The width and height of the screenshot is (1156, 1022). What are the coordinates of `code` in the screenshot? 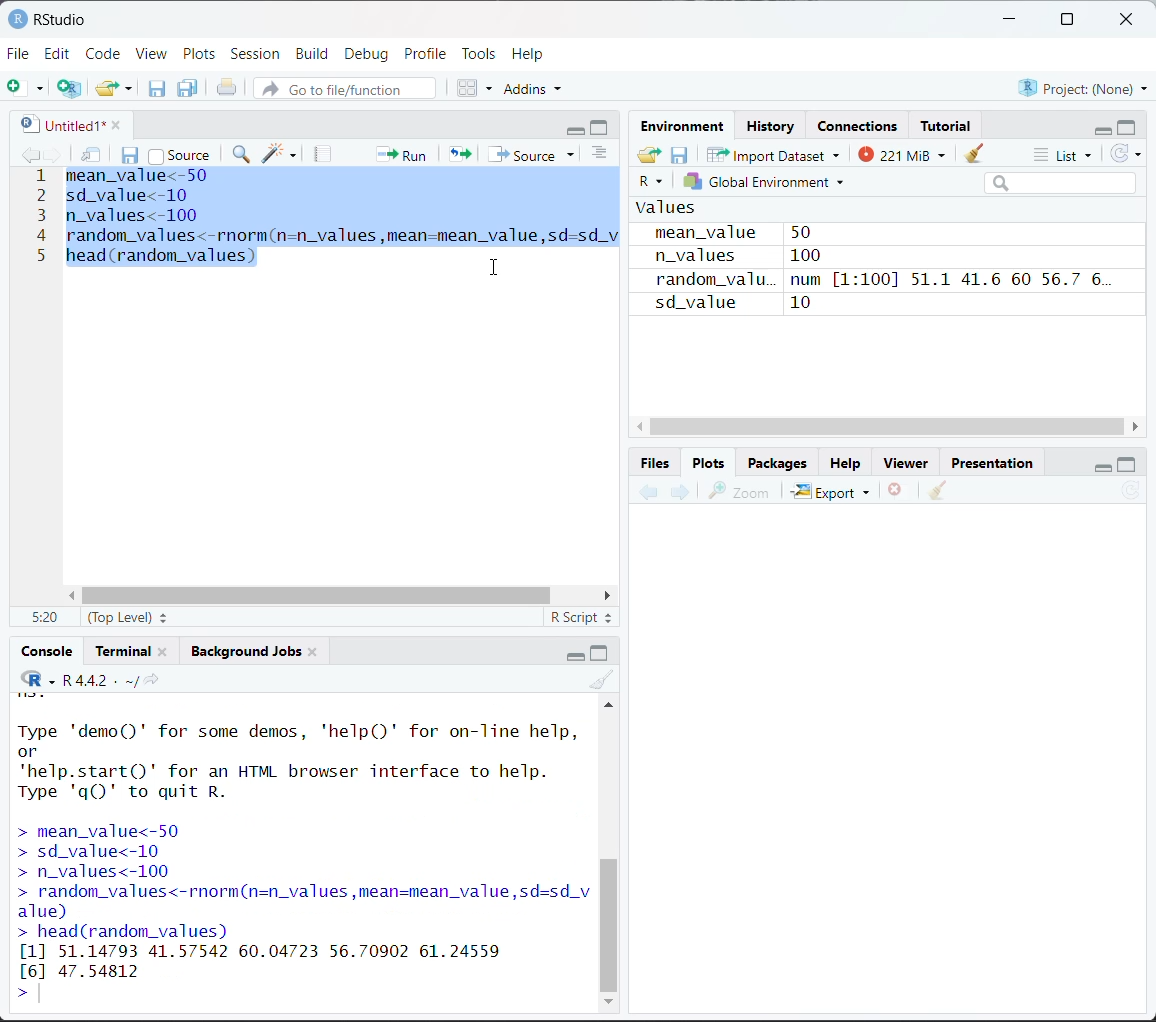 It's located at (37, 680).